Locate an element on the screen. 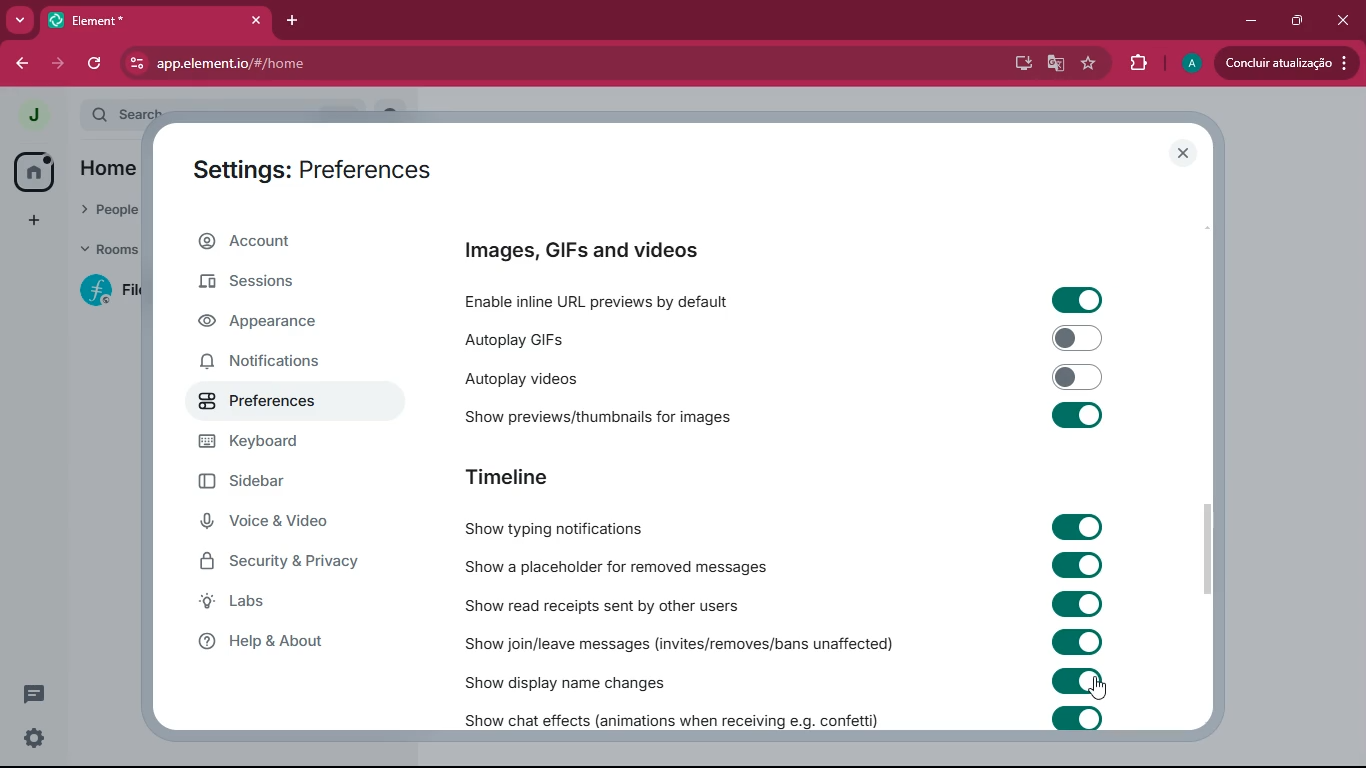 The image size is (1366, 768). enable inline URL previews by default is located at coordinates (610, 299).